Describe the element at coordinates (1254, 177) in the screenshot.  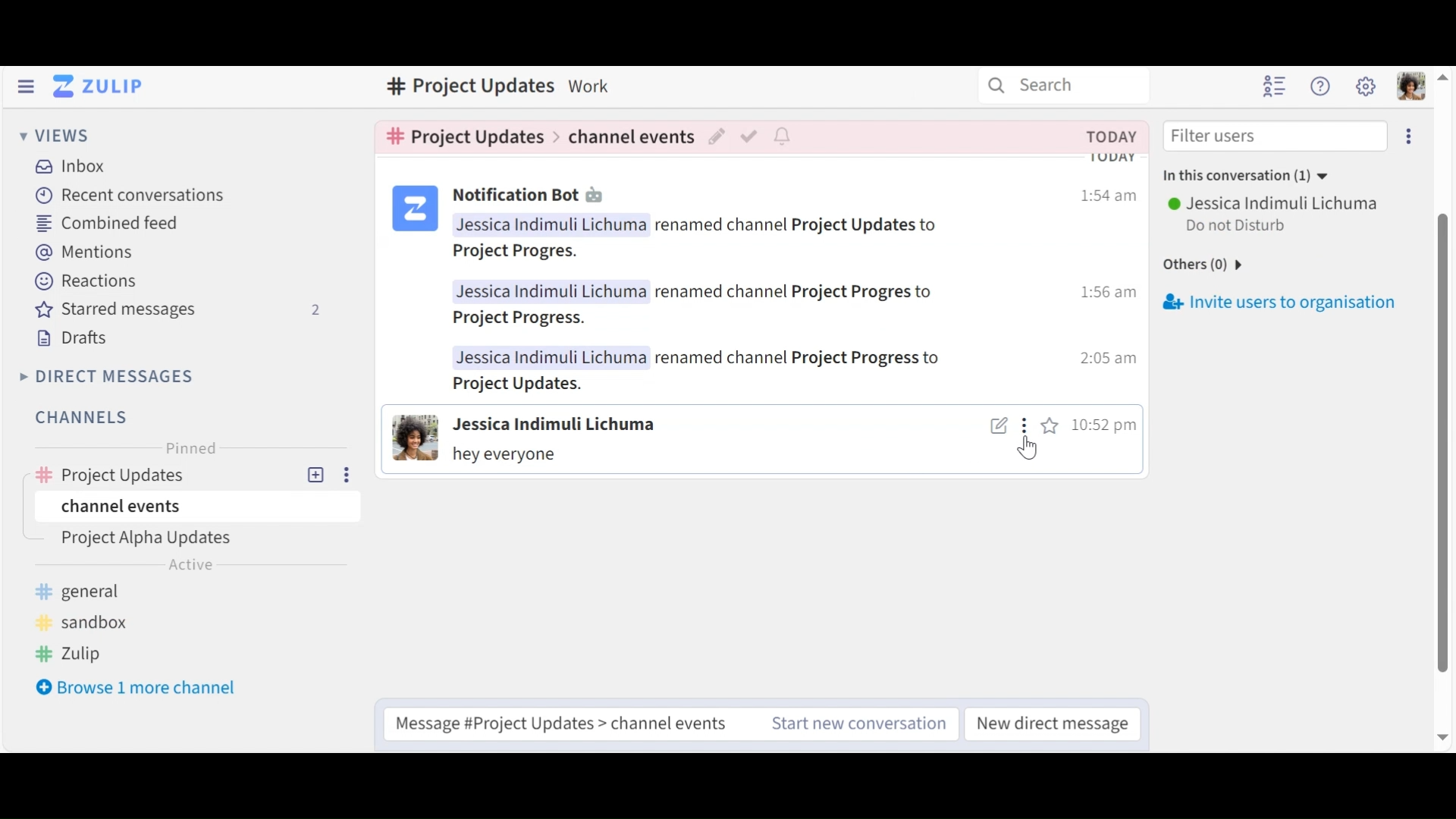
I see `In this conversation` at that location.